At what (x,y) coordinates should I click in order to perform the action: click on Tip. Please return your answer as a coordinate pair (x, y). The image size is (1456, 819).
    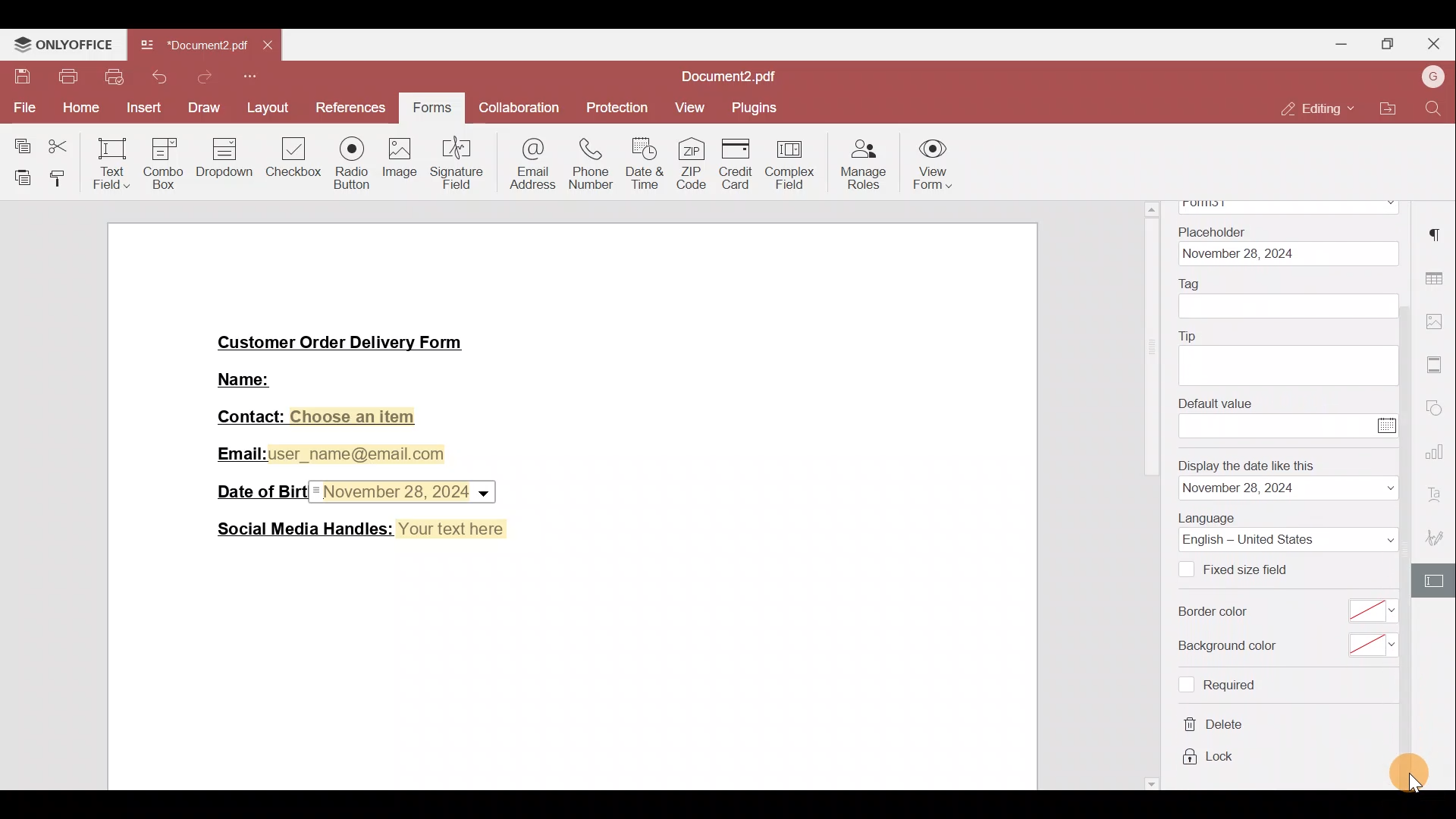
    Looking at the image, I should click on (1191, 337).